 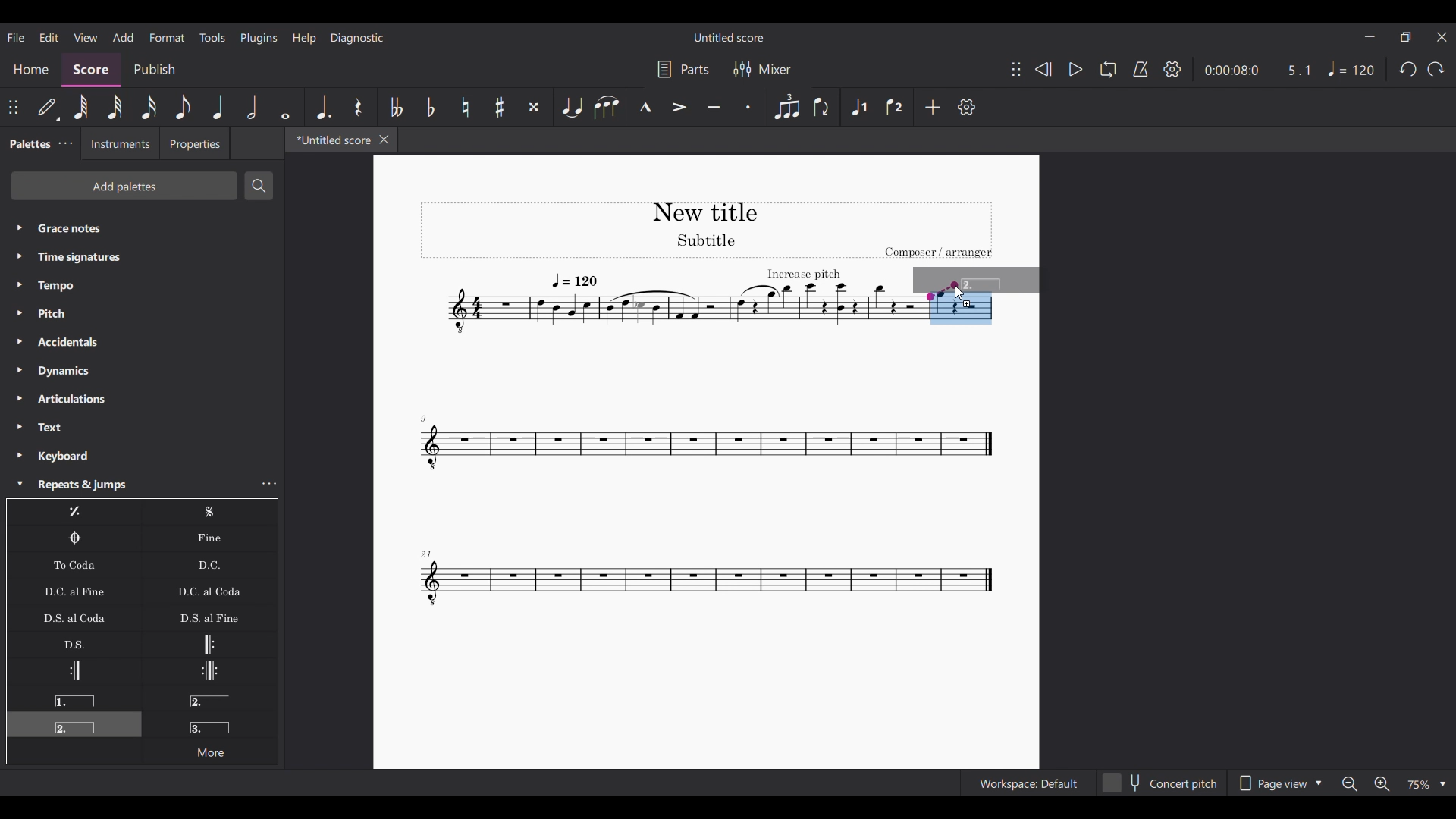 I want to click on Fine, so click(x=209, y=538).